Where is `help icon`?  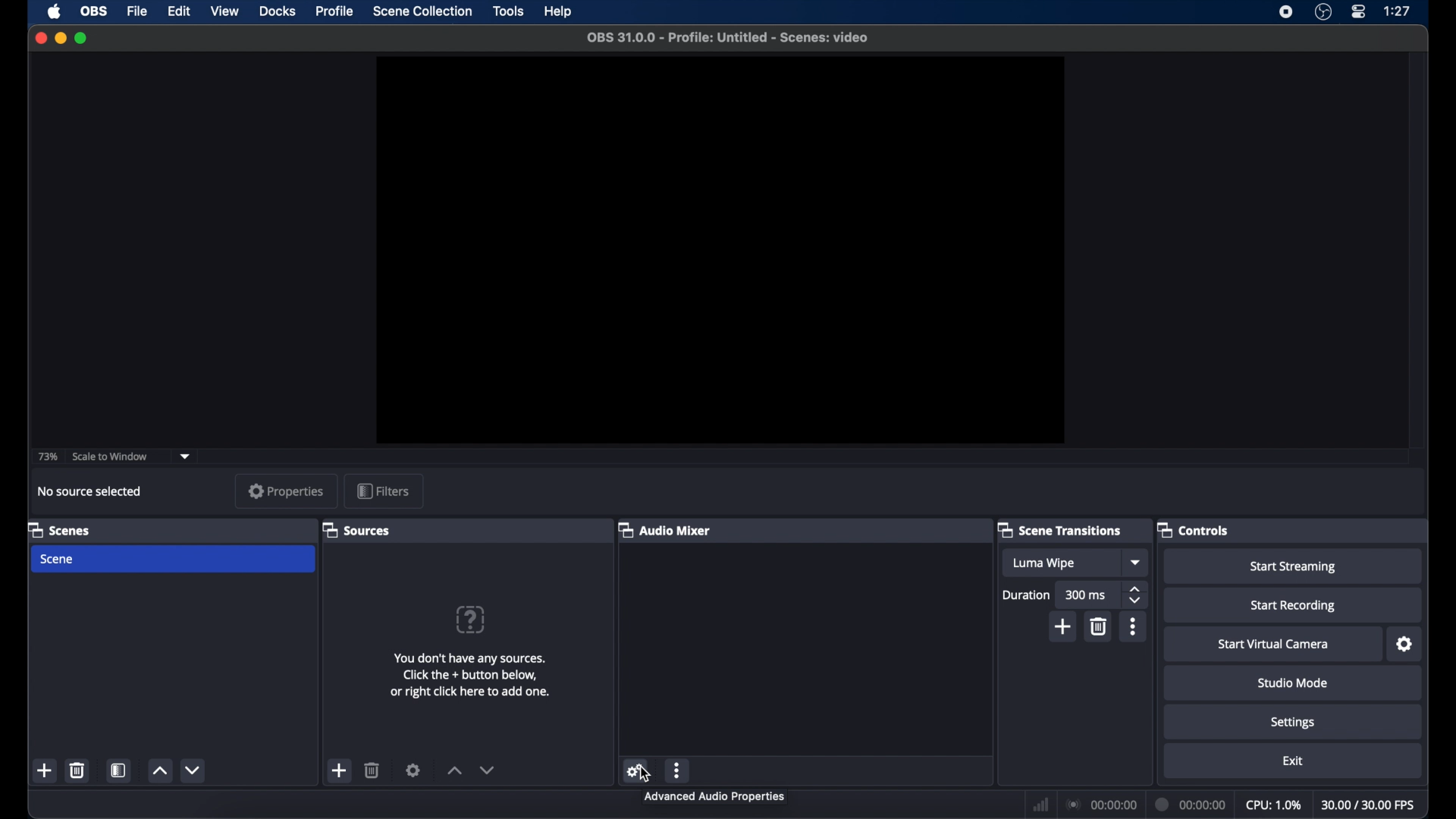 help icon is located at coordinates (469, 619).